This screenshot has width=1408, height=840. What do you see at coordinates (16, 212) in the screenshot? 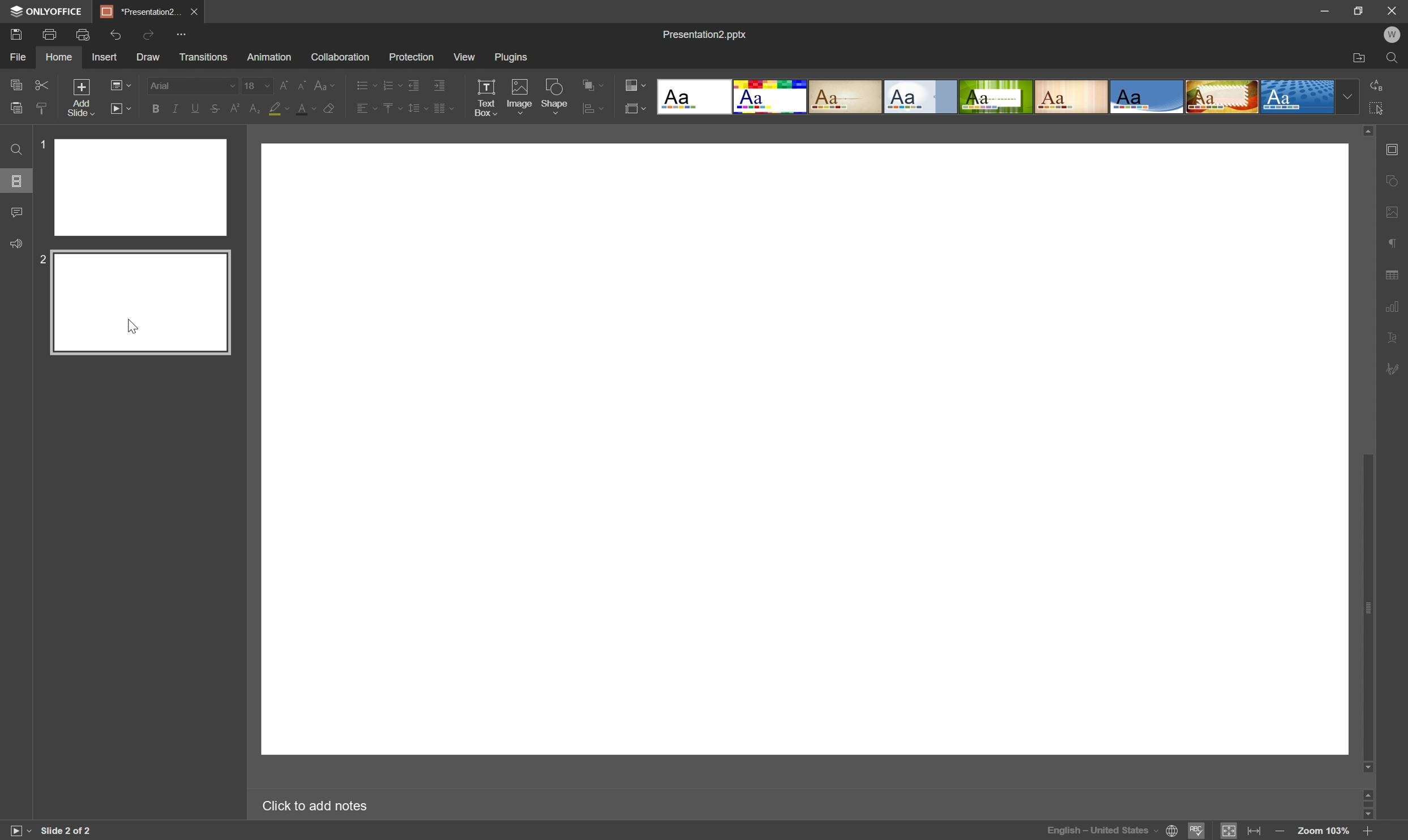
I see `Comments` at bounding box center [16, 212].